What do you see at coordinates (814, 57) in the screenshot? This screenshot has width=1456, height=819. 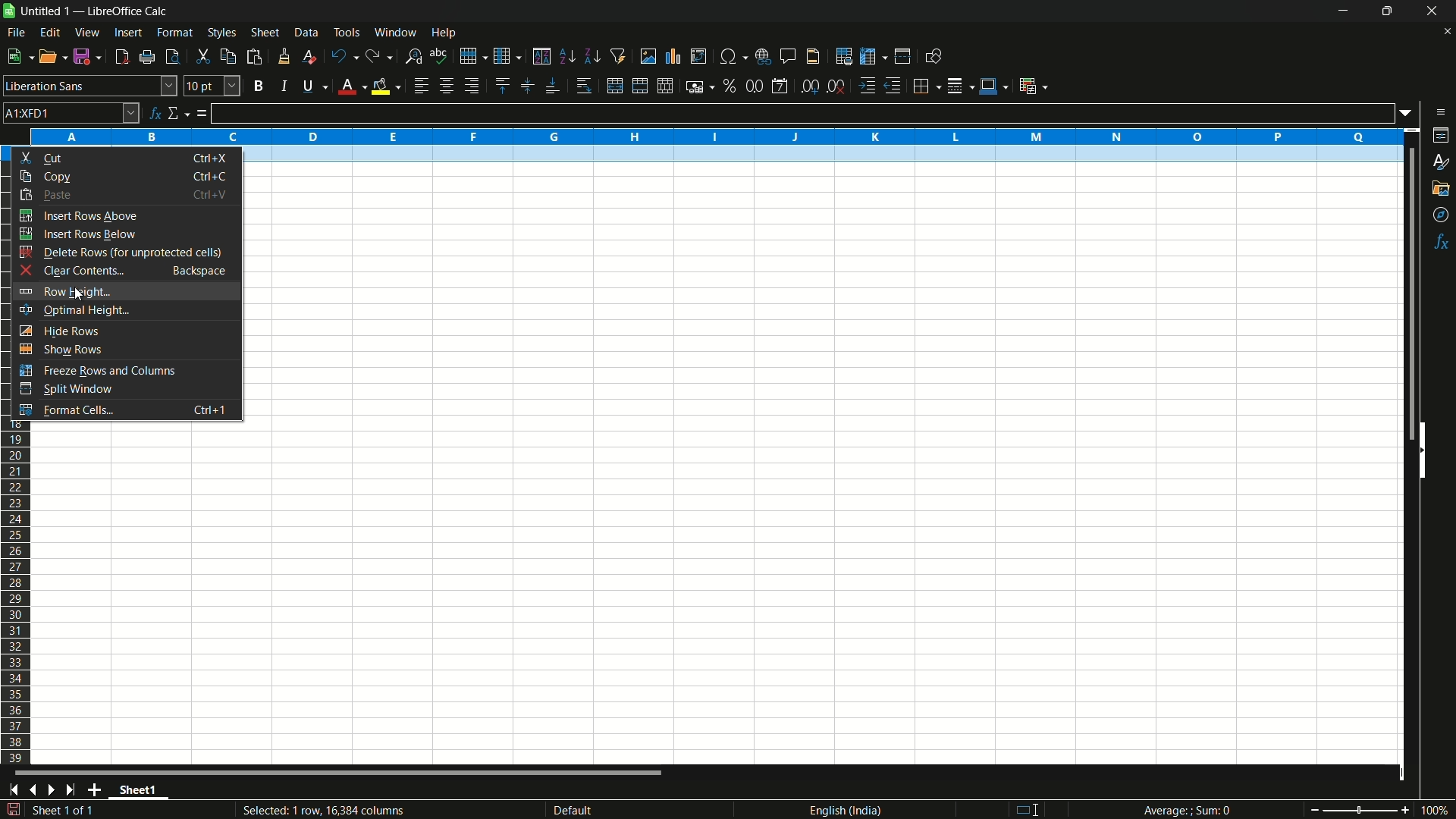 I see `header and footer` at bounding box center [814, 57].